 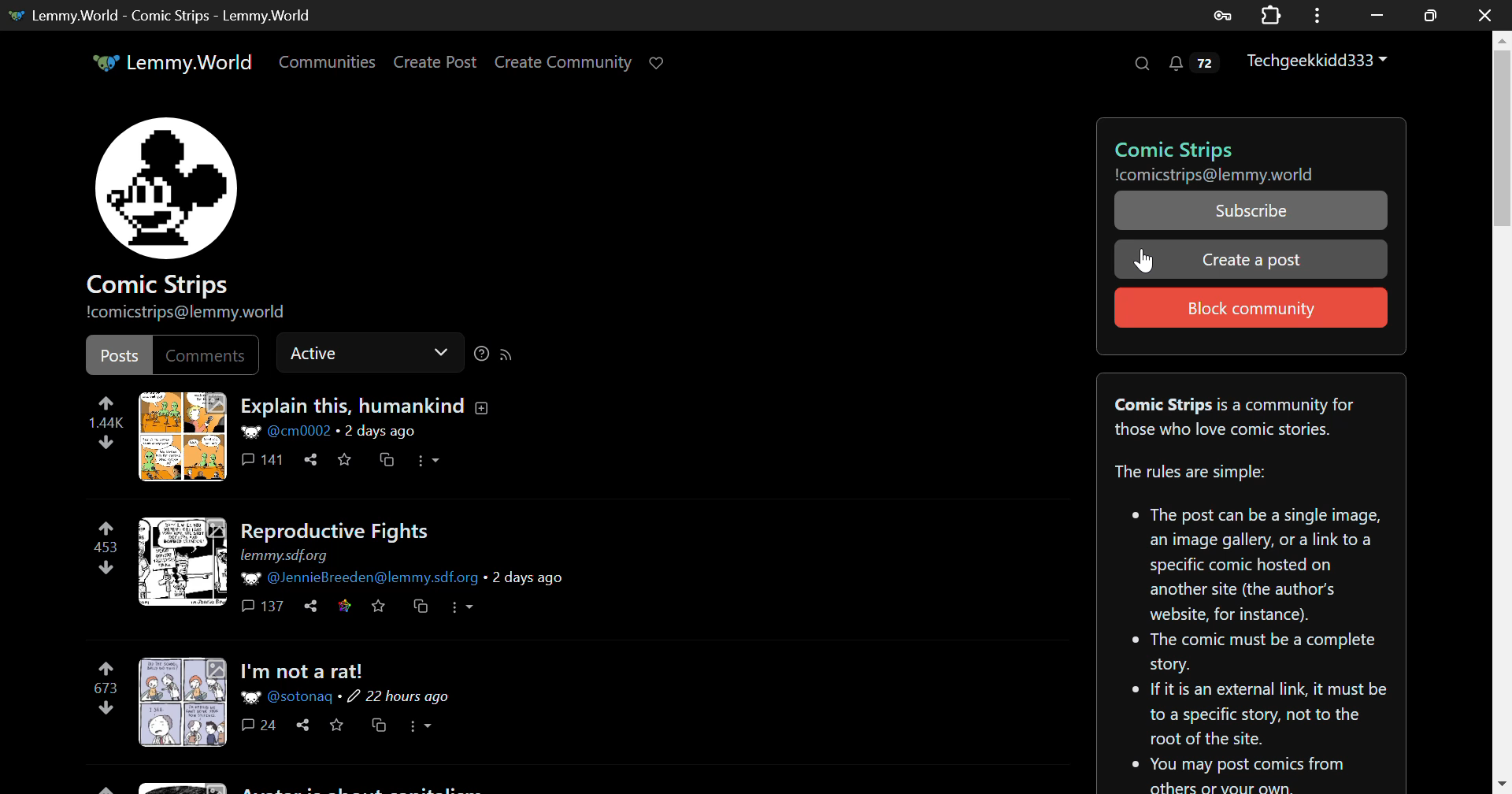 What do you see at coordinates (439, 61) in the screenshot?
I see `Create Post Page Hyperlink` at bounding box center [439, 61].